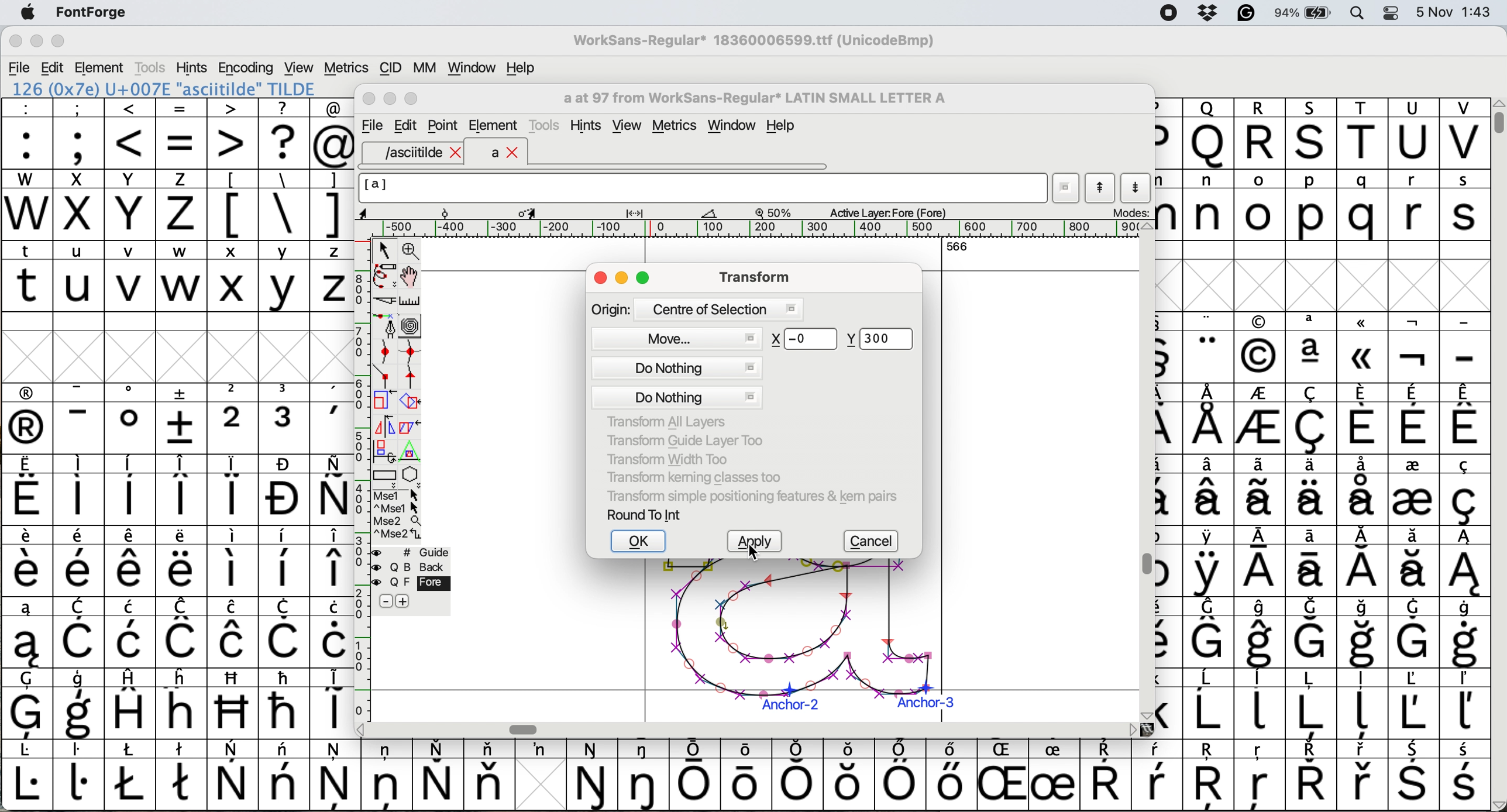  I want to click on symbol, so click(133, 632).